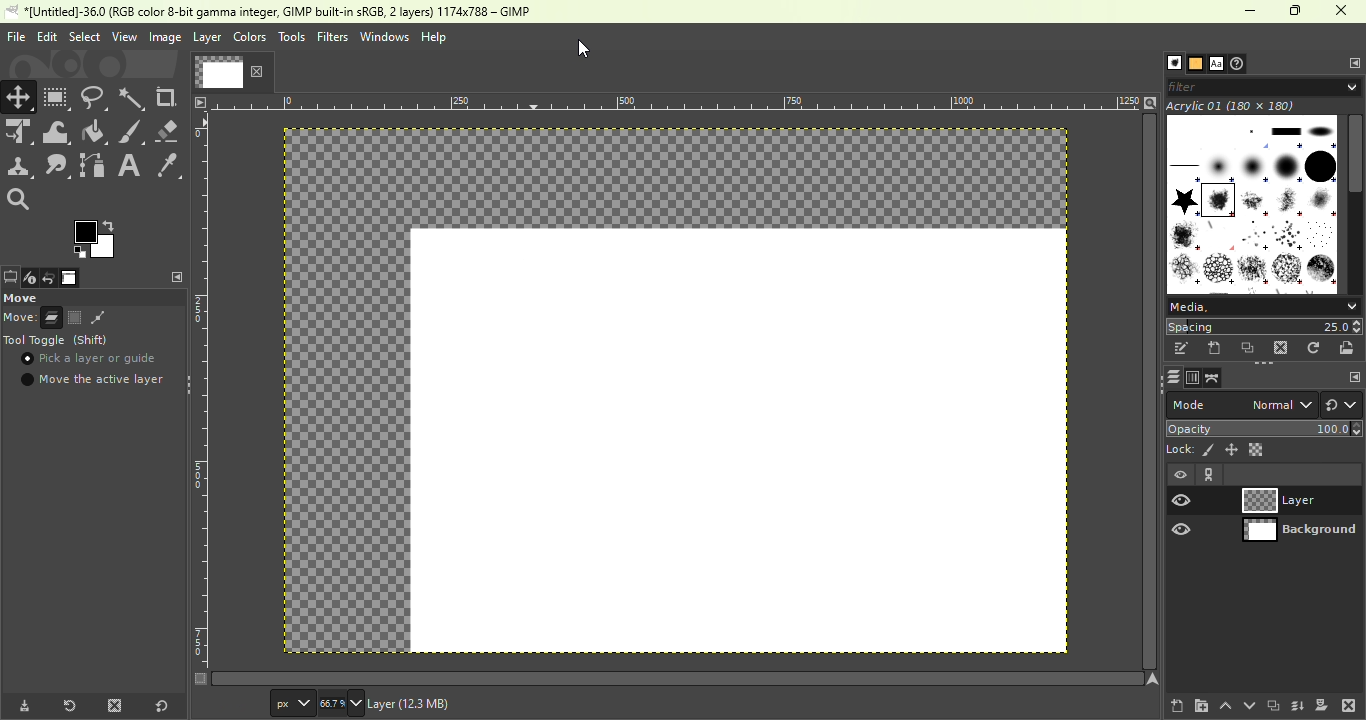 This screenshot has height=720, width=1366. What do you see at coordinates (1190, 449) in the screenshot?
I see `Lock pixels` at bounding box center [1190, 449].